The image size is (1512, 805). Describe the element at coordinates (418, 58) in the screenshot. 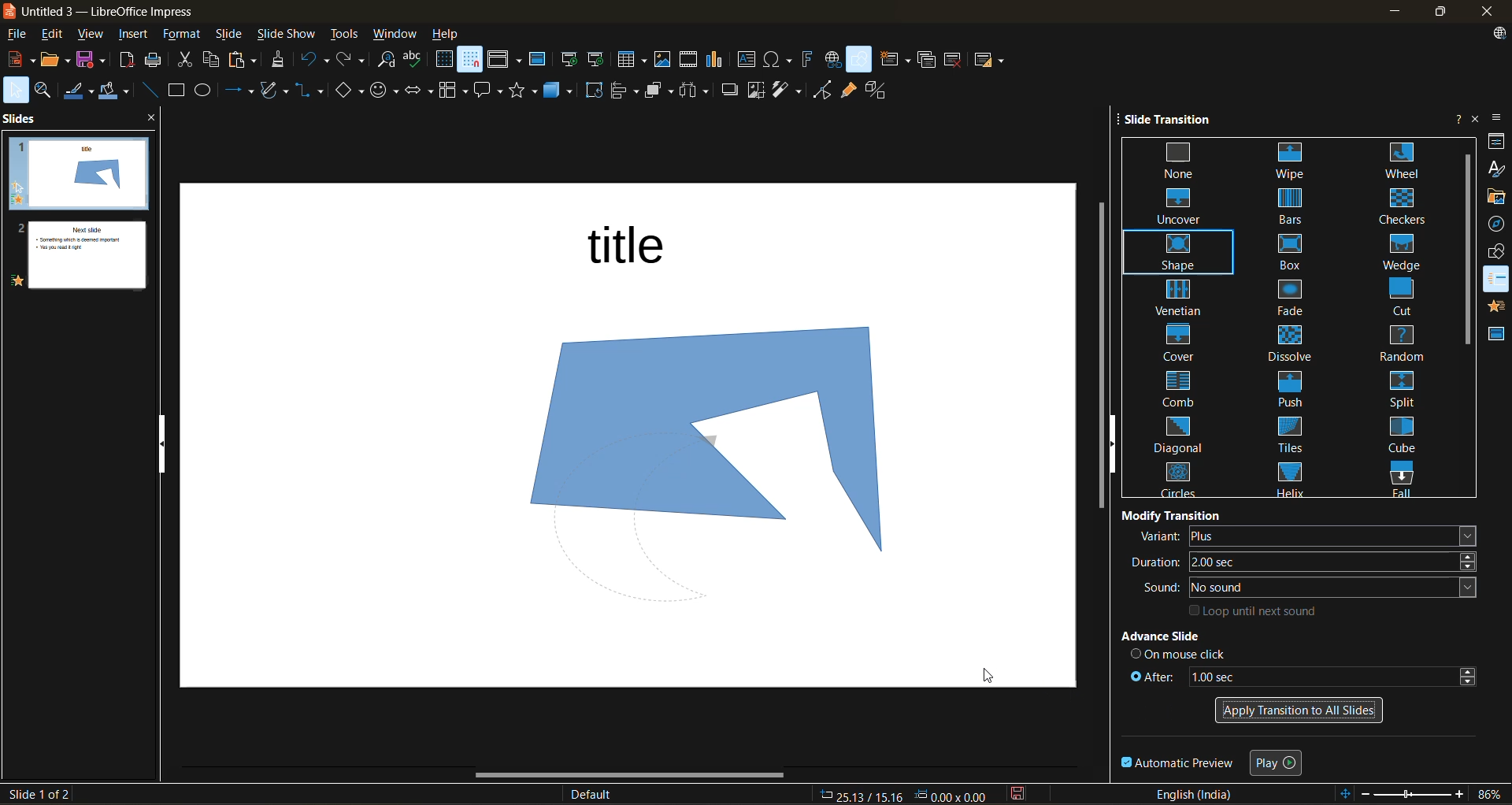

I see `spelling ` at that location.